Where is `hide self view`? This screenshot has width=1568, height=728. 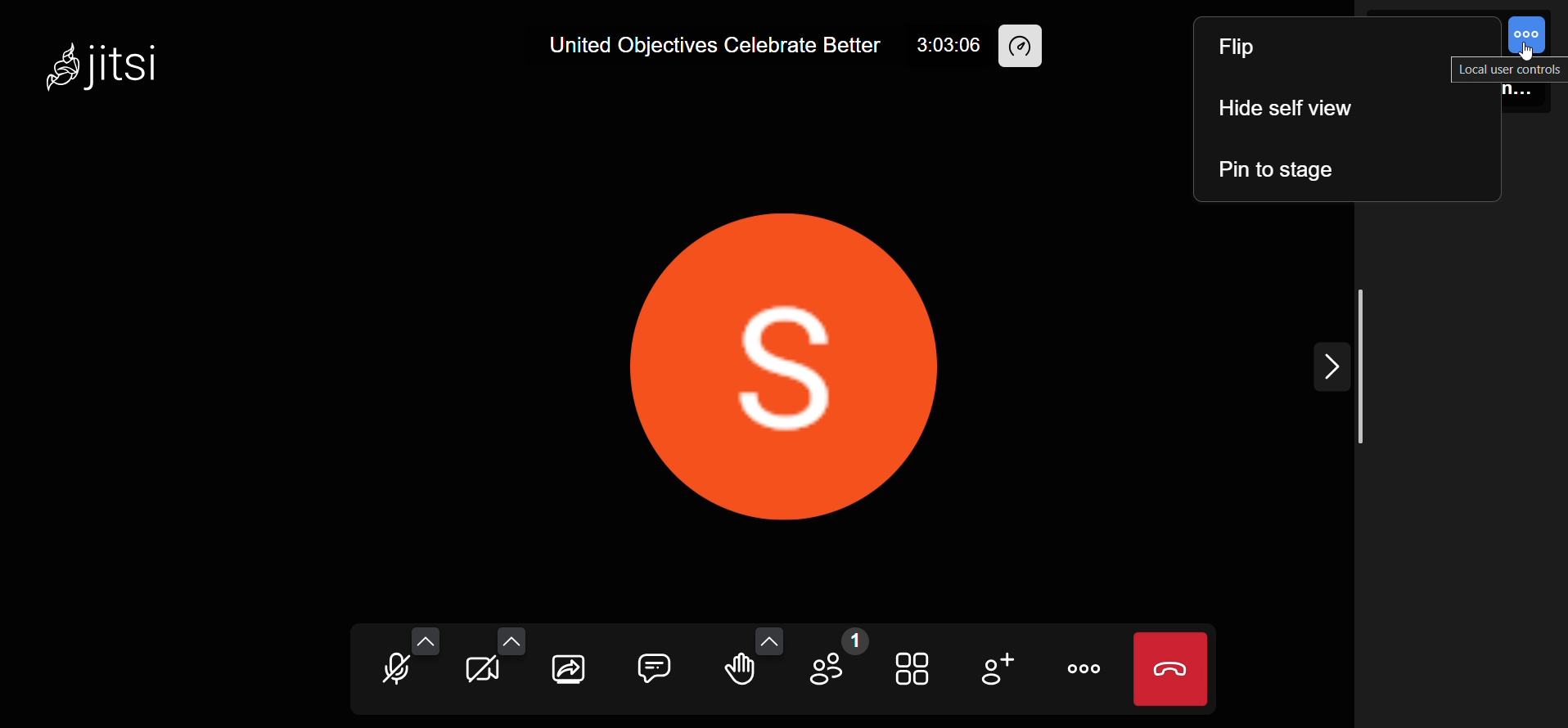 hide self view is located at coordinates (1286, 109).